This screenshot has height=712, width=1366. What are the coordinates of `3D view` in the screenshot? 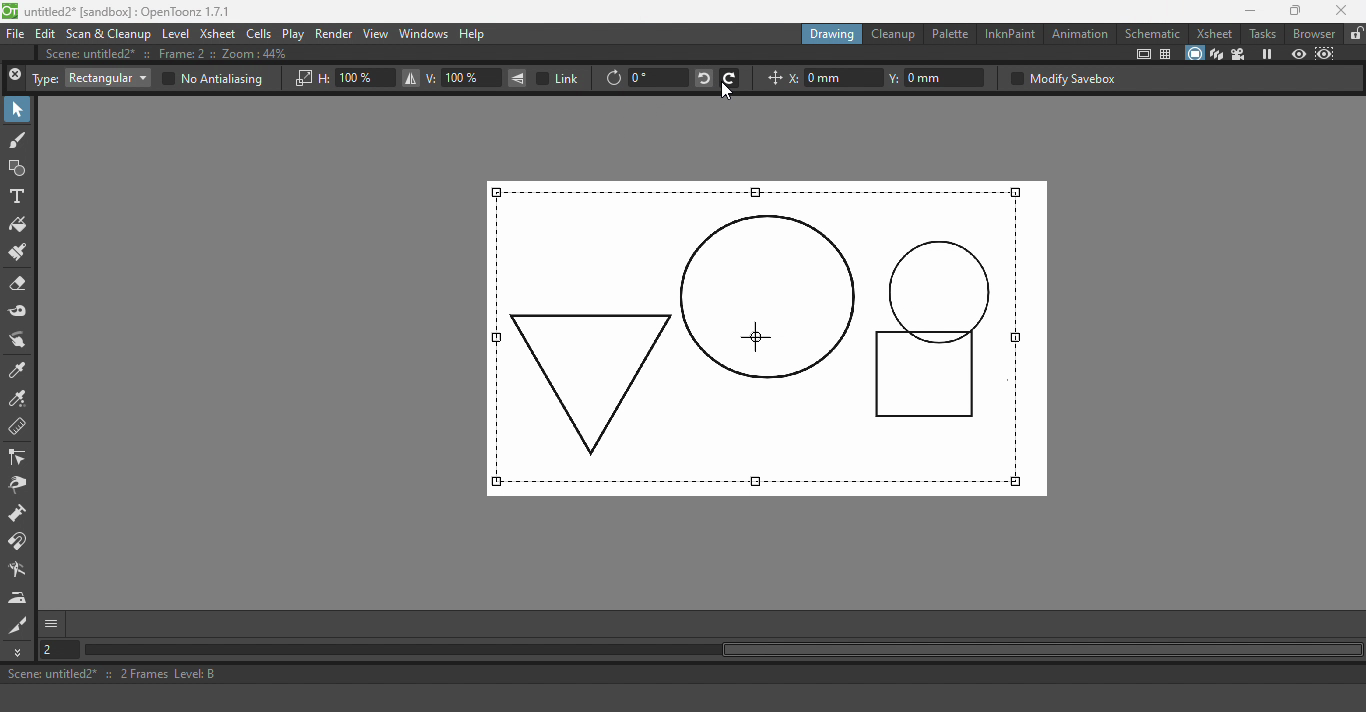 It's located at (1217, 54).